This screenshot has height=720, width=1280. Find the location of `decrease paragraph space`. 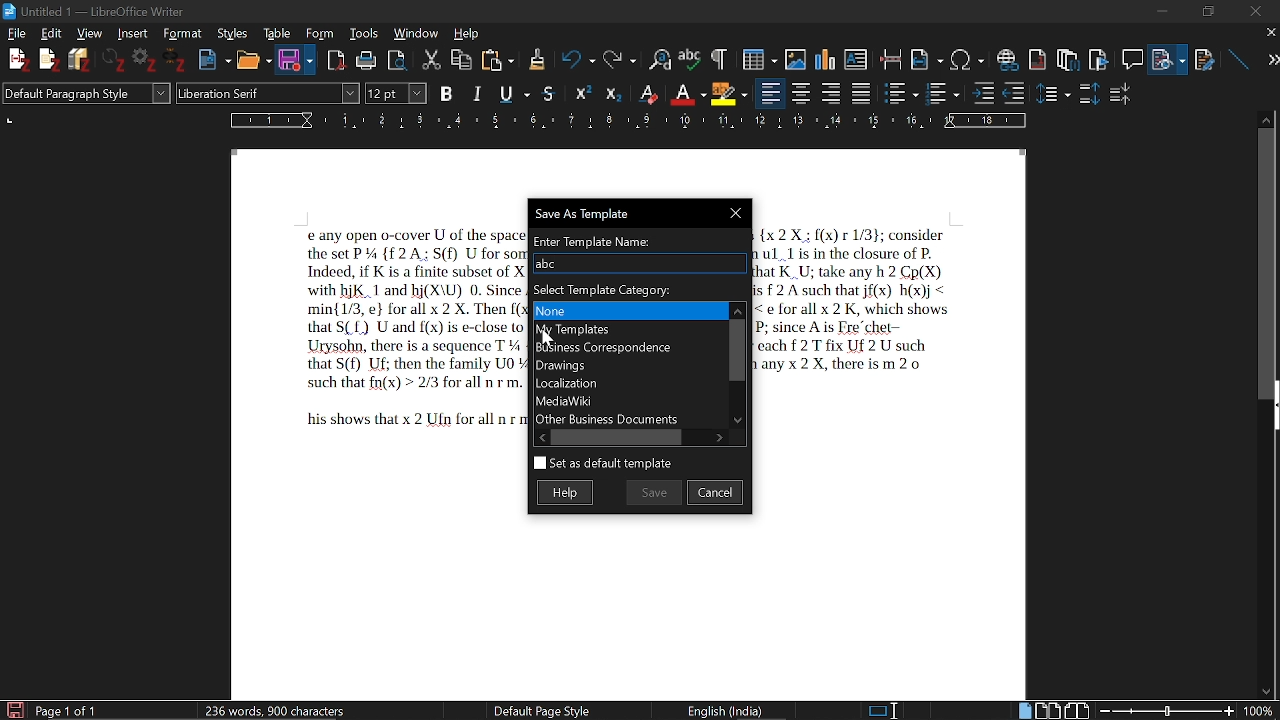

decrease paragraph space is located at coordinates (1121, 97).